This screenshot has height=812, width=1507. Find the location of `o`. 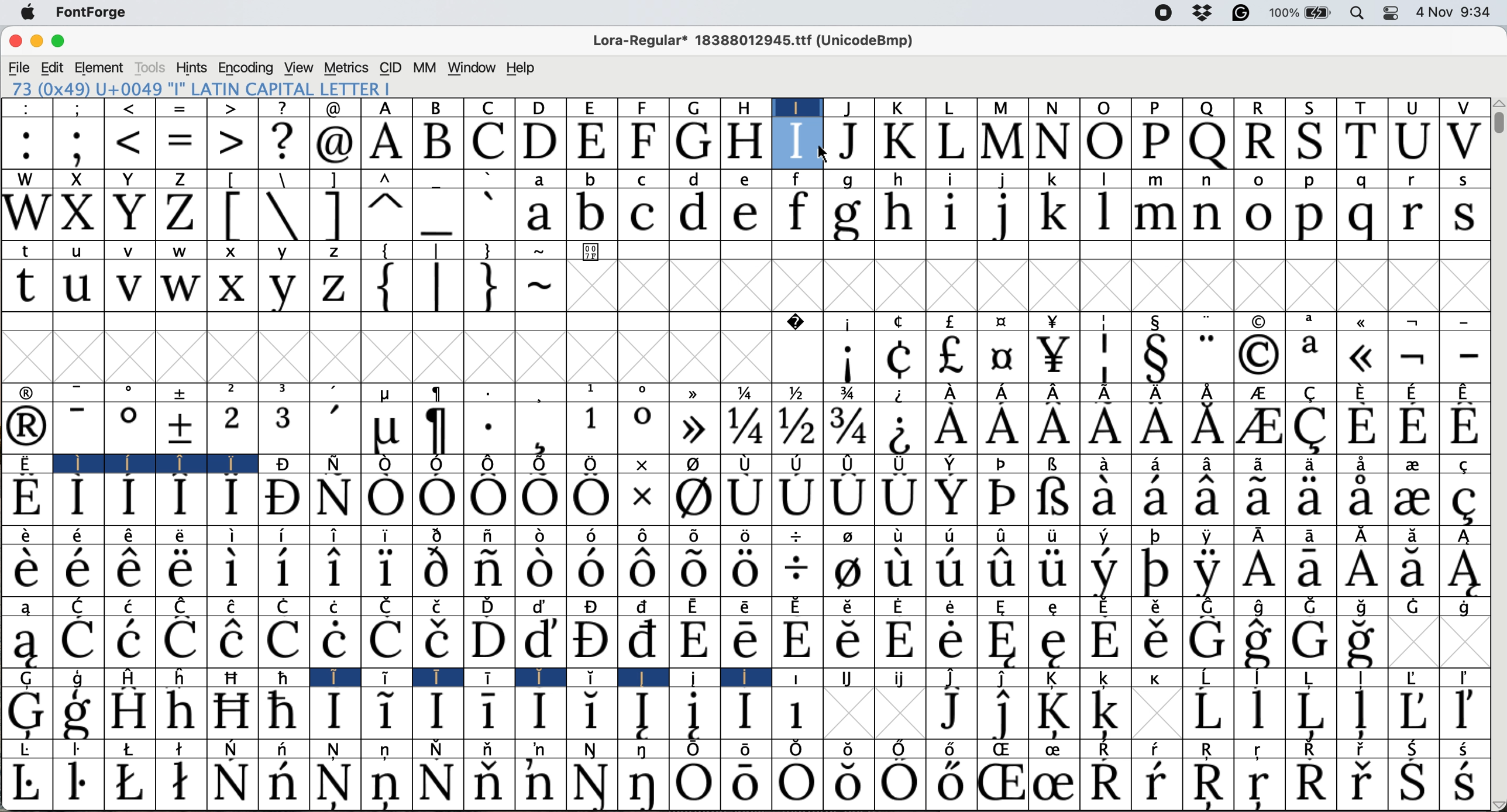

o is located at coordinates (1260, 180).